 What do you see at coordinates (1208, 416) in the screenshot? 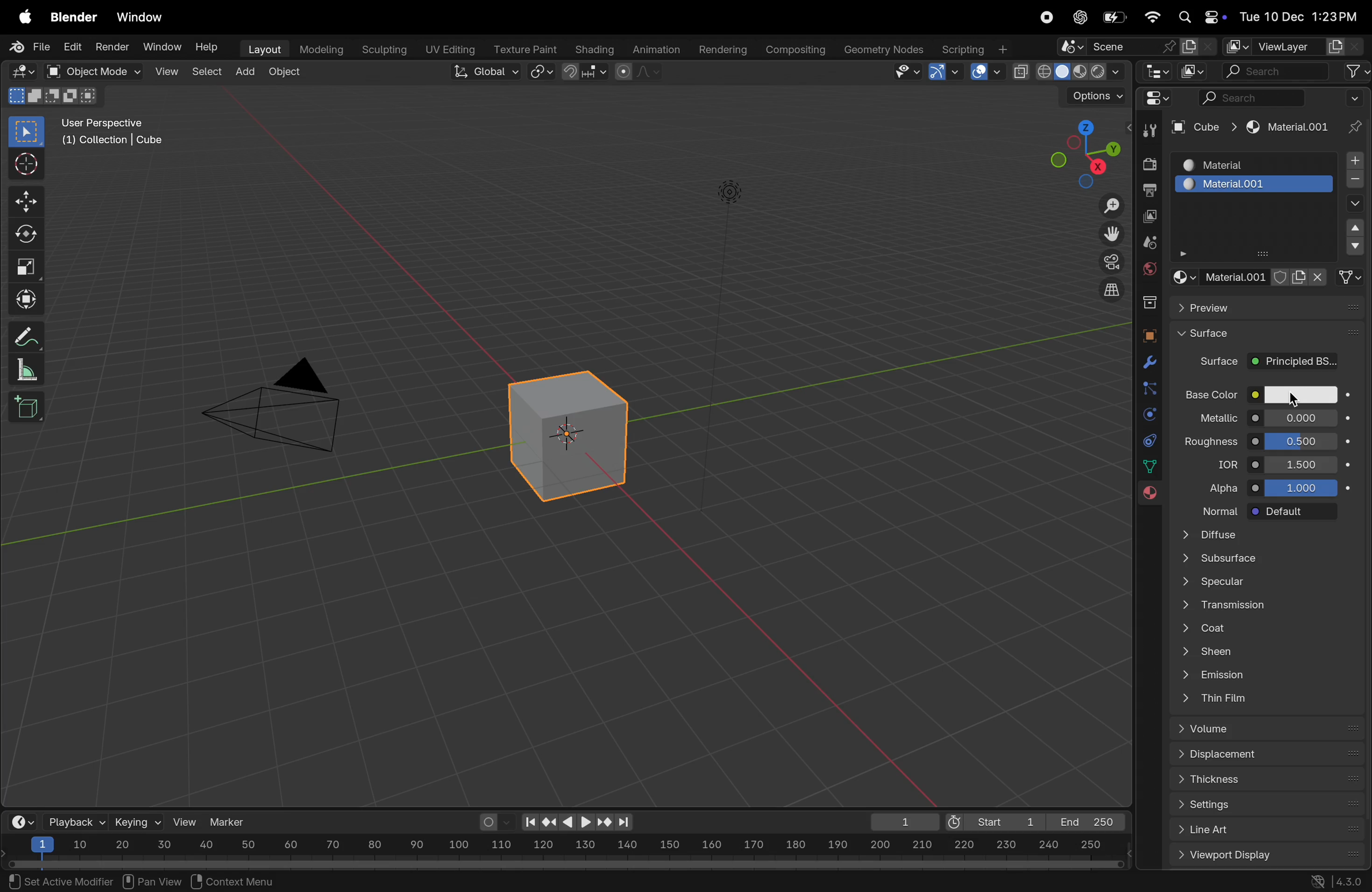
I see `metallic` at bounding box center [1208, 416].